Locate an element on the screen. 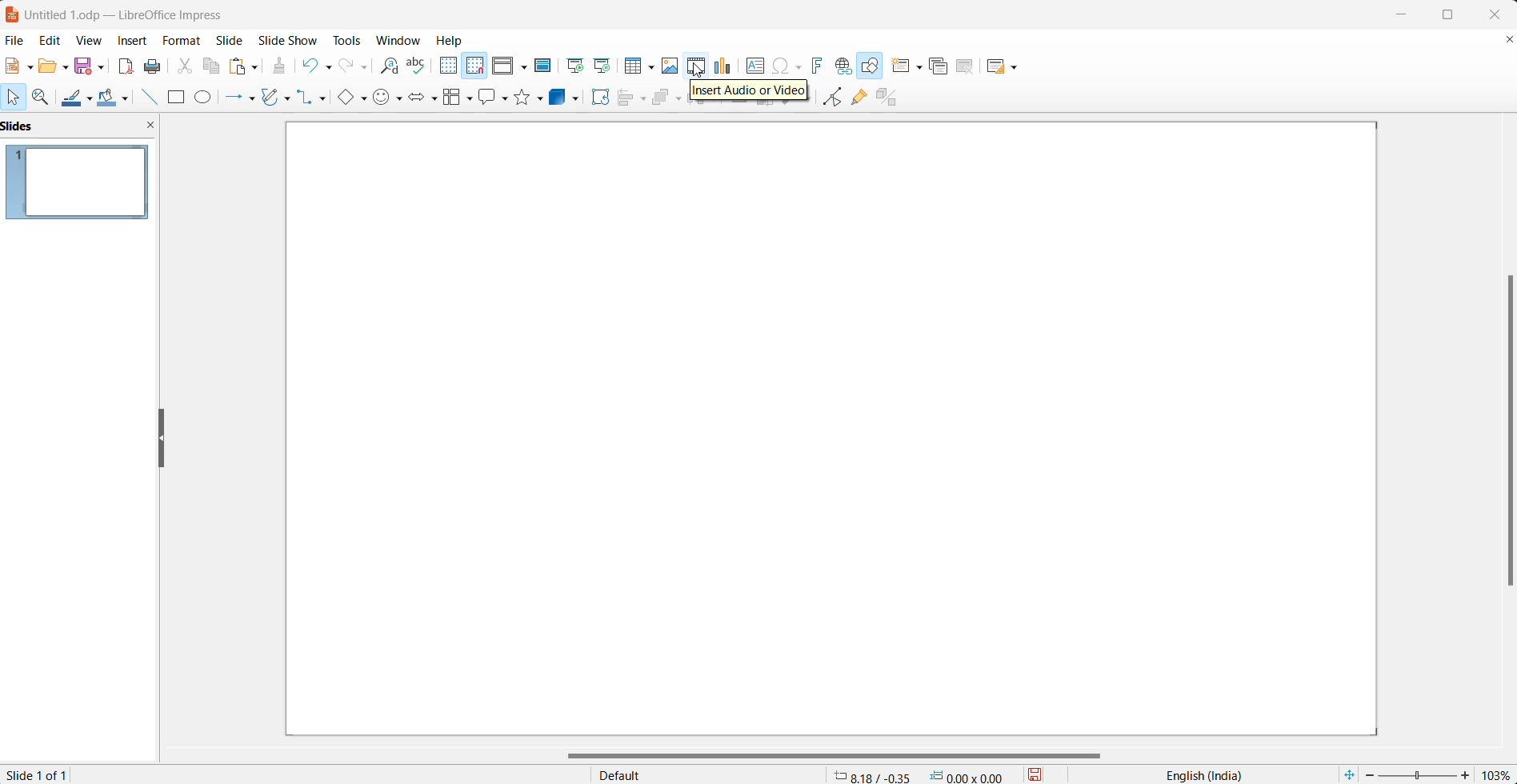 This screenshot has height=784, width=1517. align objects is located at coordinates (626, 101).